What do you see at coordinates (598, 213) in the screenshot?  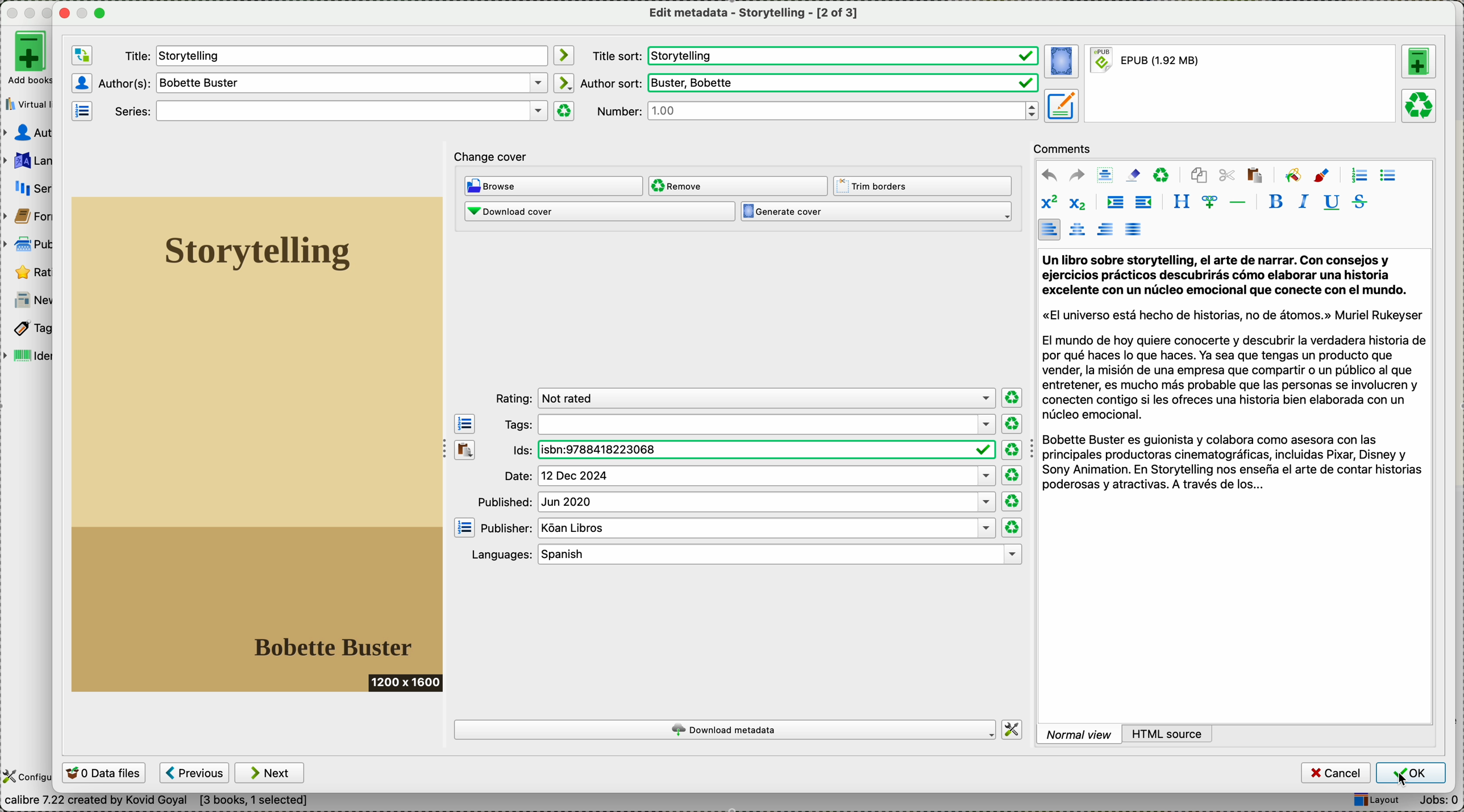 I see `download cover` at bounding box center [598, 213].